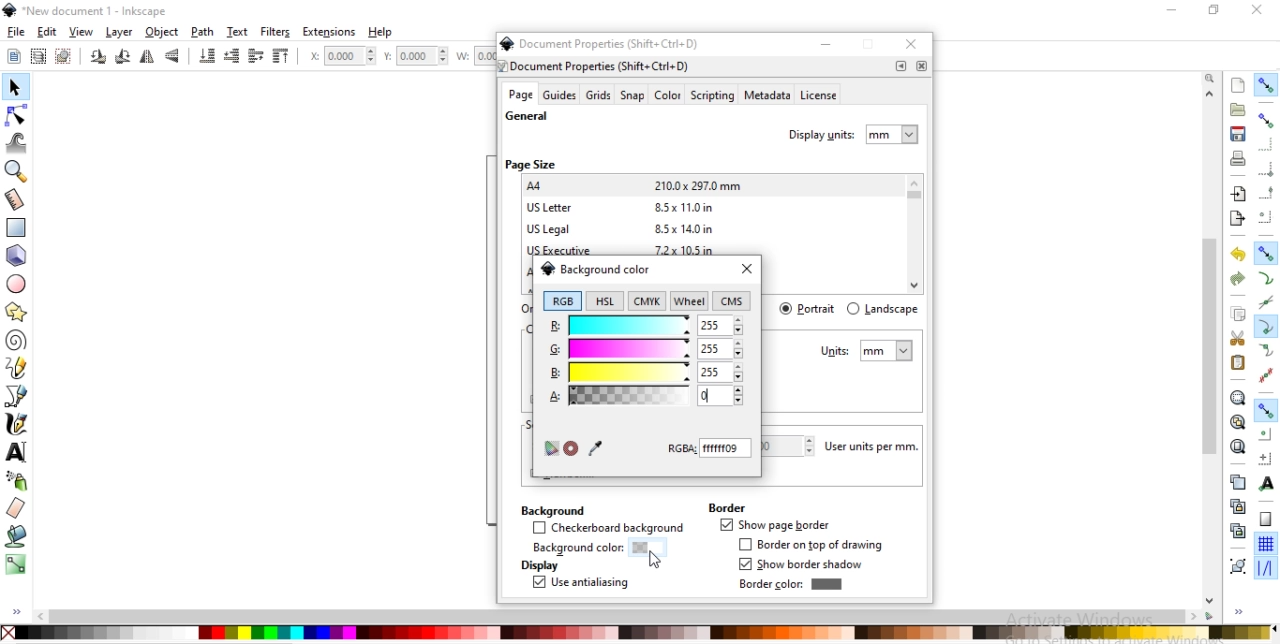  What do you see at coordinates (1258, 10) in the screenshot?
I see `close` at bounding box center [1258, 10].